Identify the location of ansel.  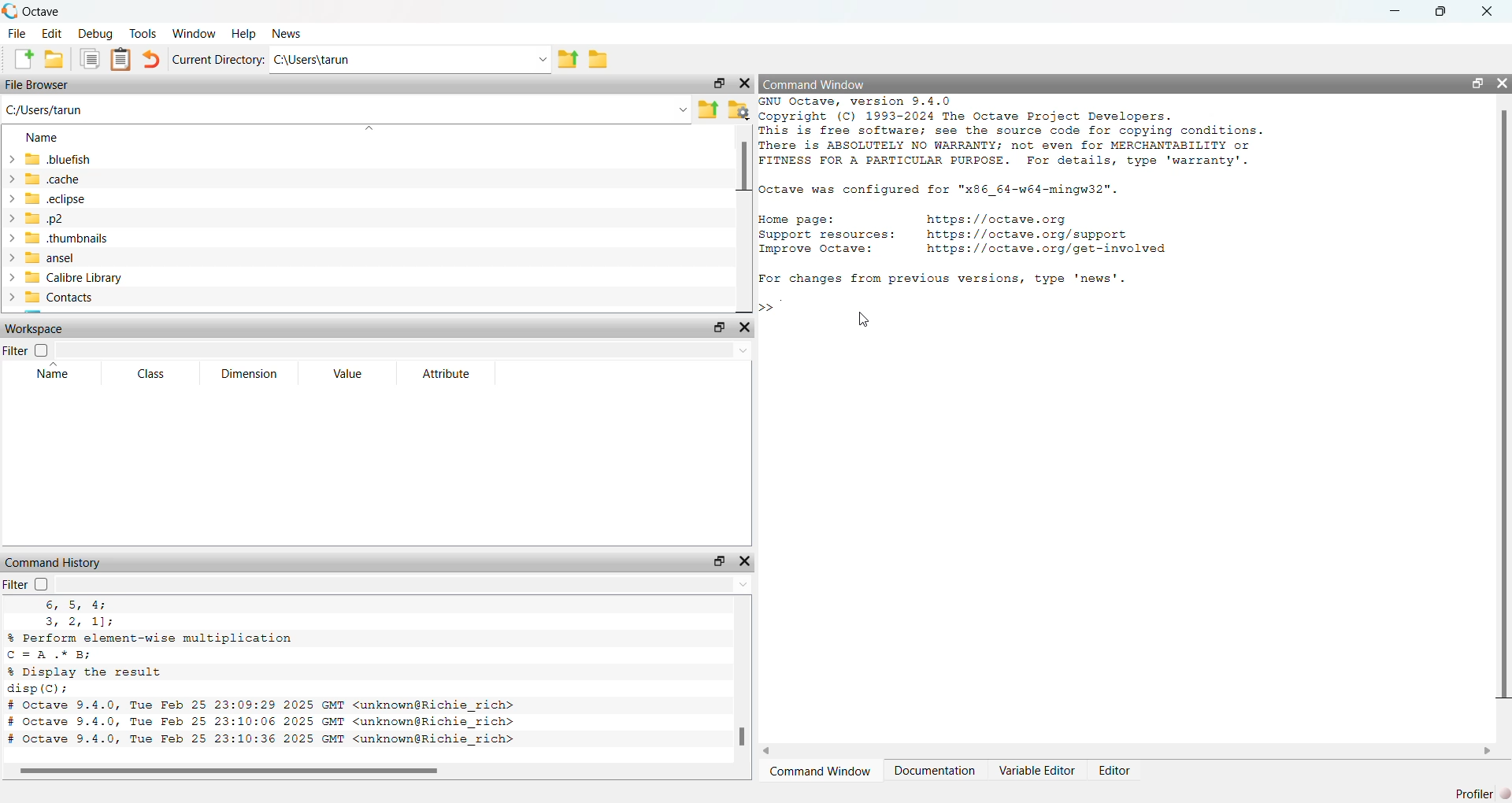
(40, 258).